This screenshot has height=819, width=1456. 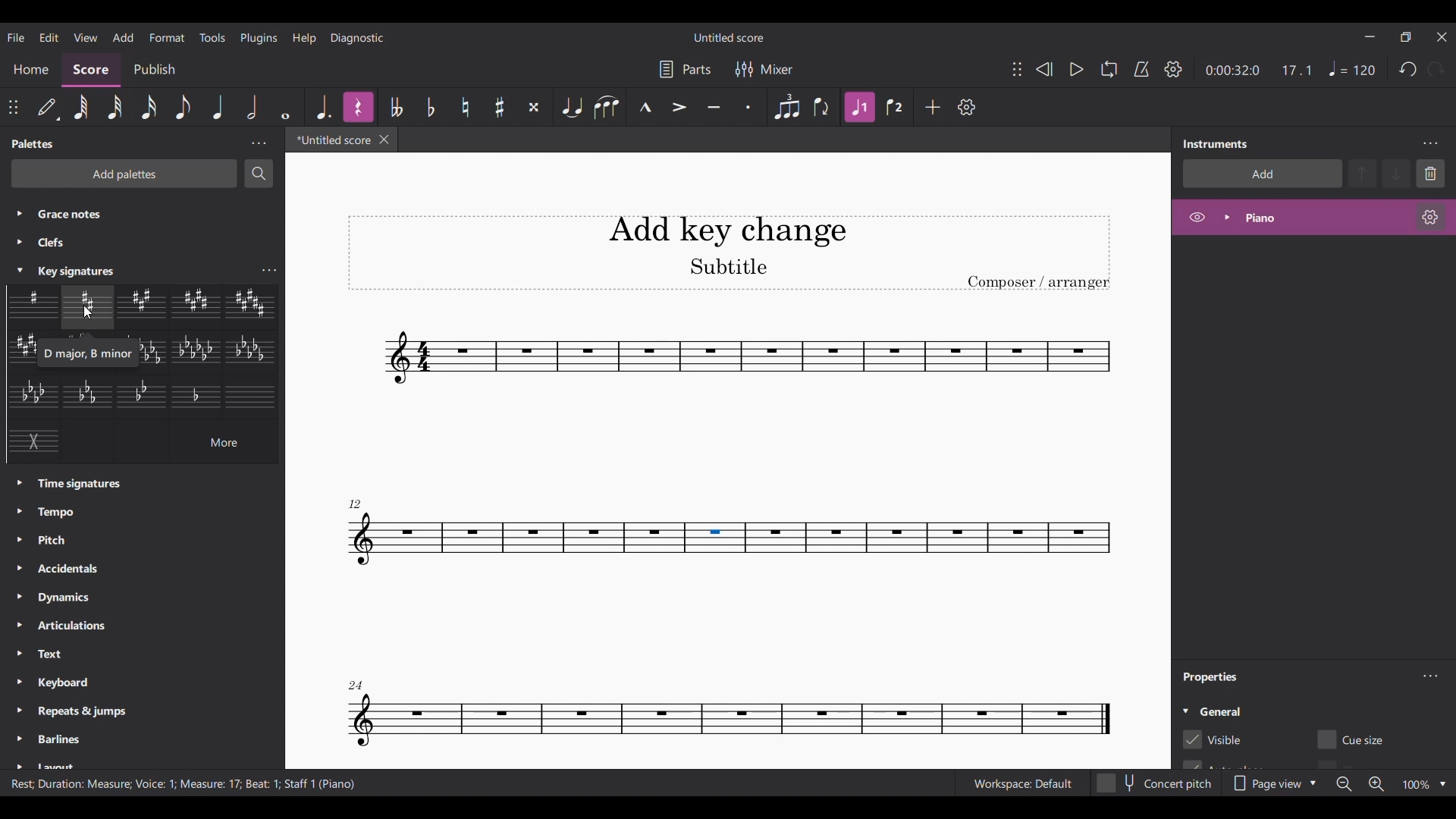 What do you see at coordinates (1398, 174) in the screenshot?
I see `Move down` at bounding box center [1398, 174].